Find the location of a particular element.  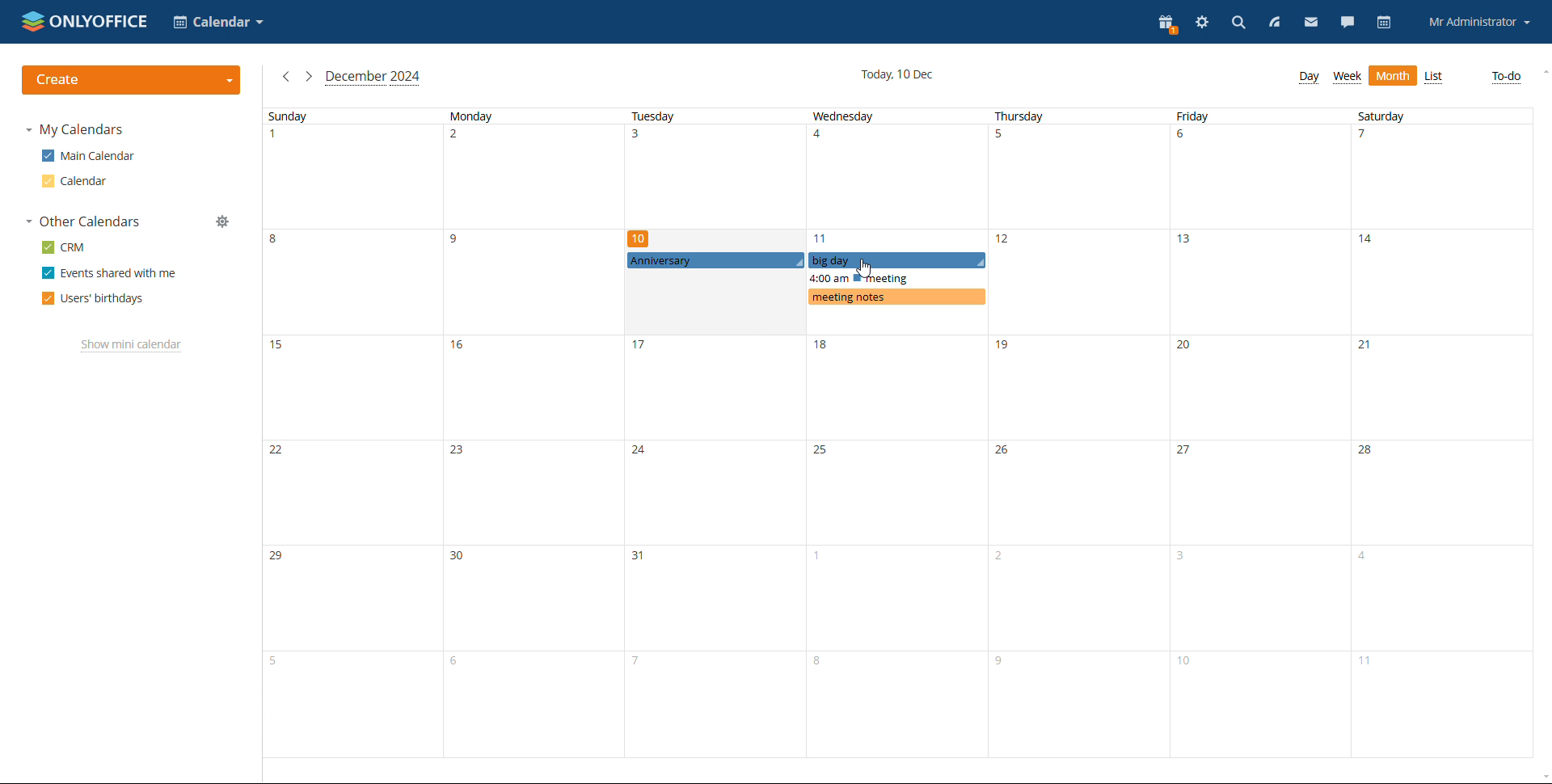

feed is located at coordinates (1273, 22).